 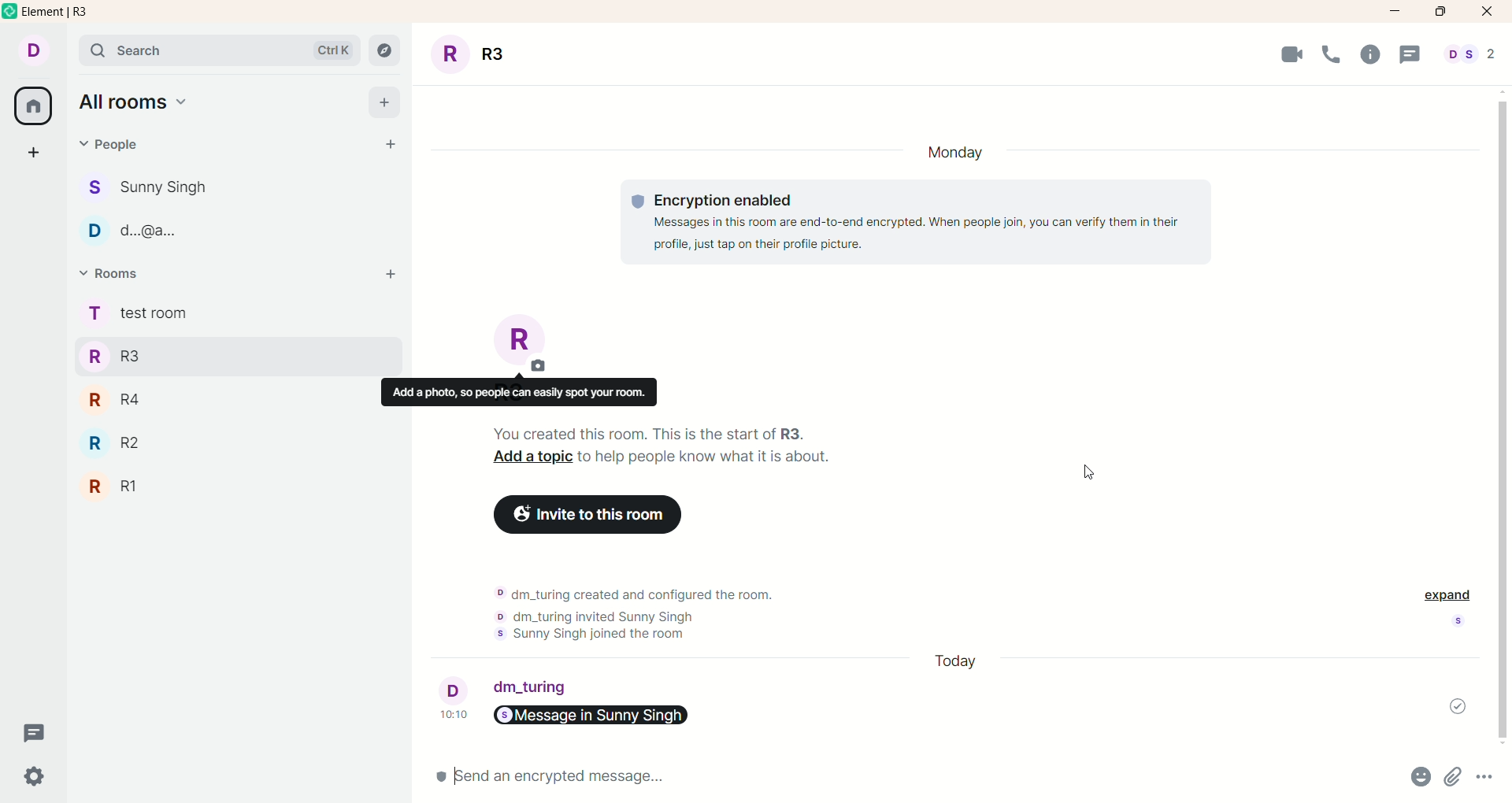 I want to click on attachments, so click(x=1455, y=778).